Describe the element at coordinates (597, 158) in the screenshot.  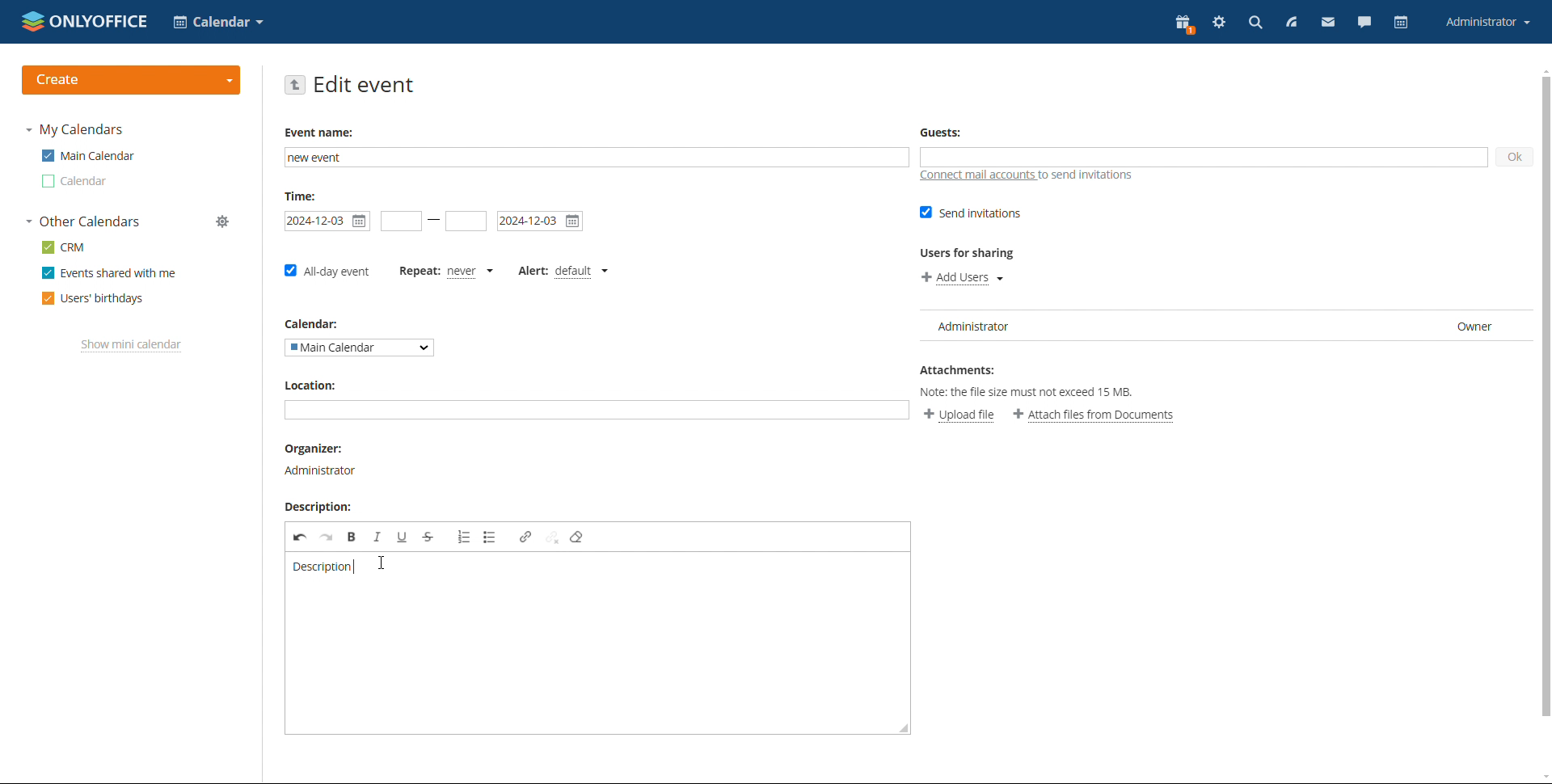
I see `add event name` at that location.